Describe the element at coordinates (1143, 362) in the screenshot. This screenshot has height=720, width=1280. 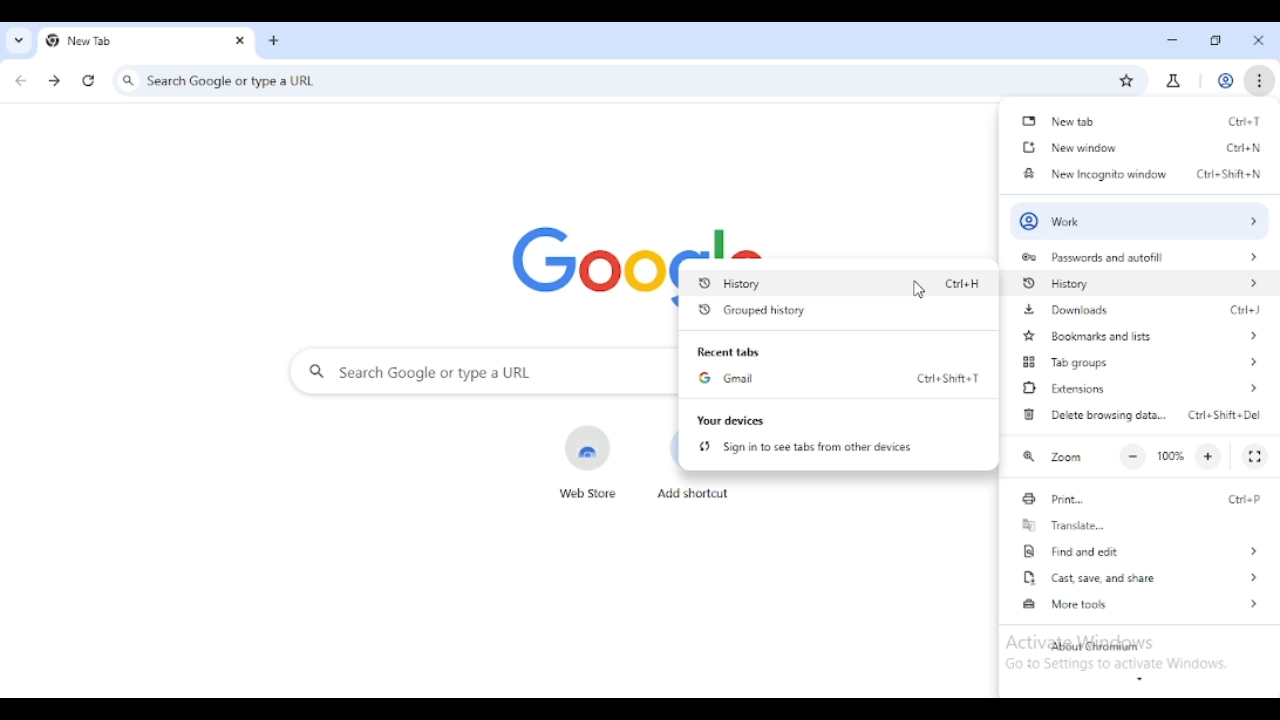
I see `tab groups` at that location.